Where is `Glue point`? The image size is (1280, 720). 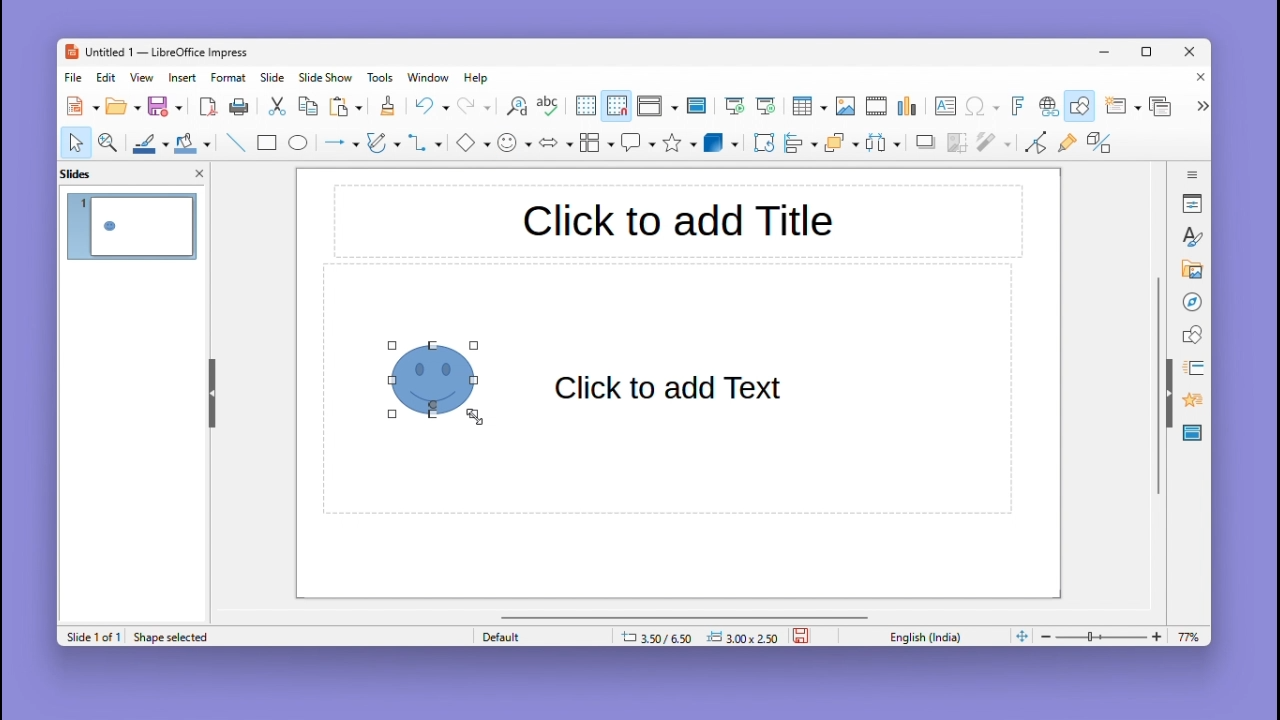
Glue point is located at coordinates (1071, 145).